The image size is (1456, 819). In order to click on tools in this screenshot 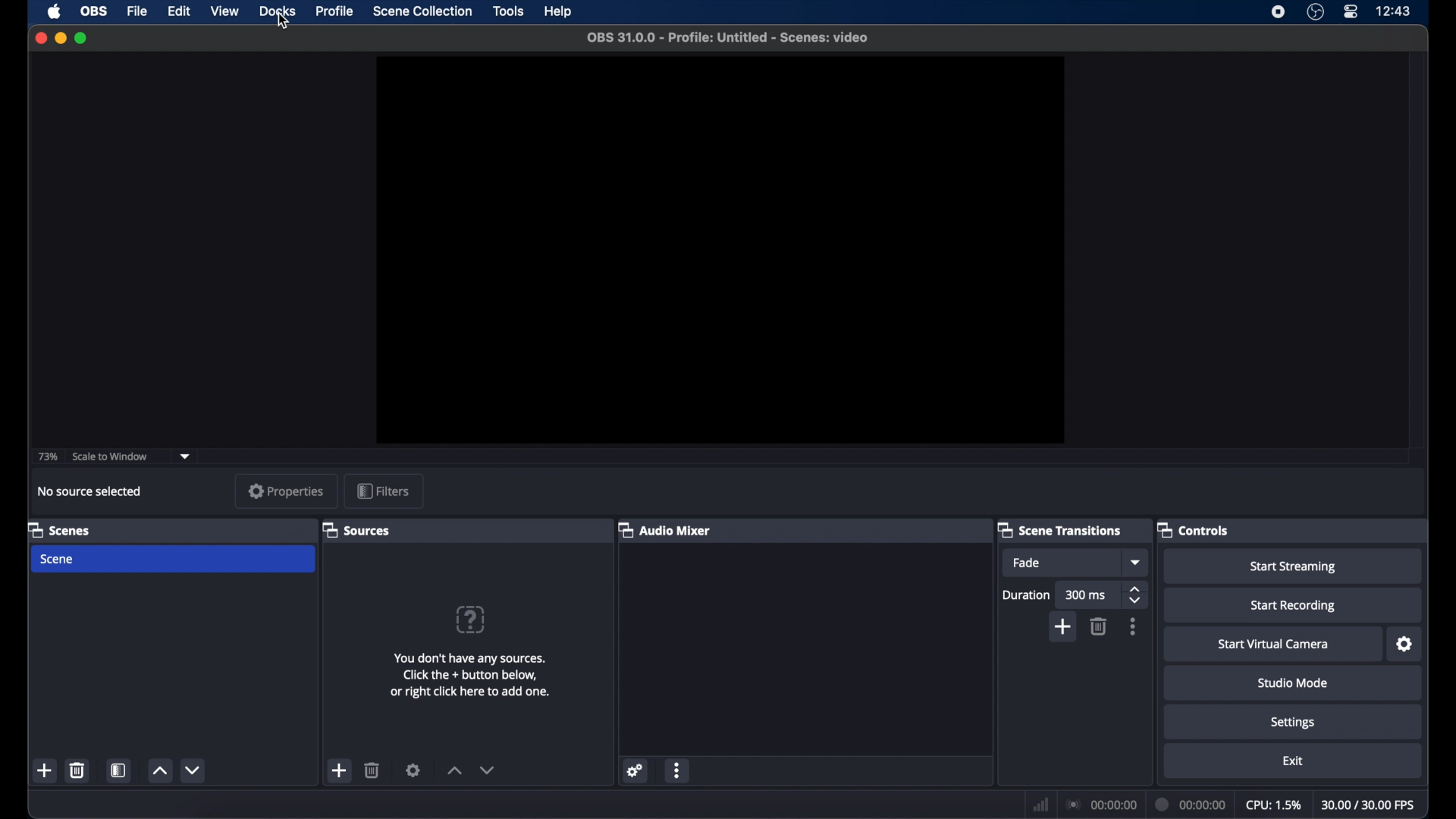, I will do `click(509, 11)`.